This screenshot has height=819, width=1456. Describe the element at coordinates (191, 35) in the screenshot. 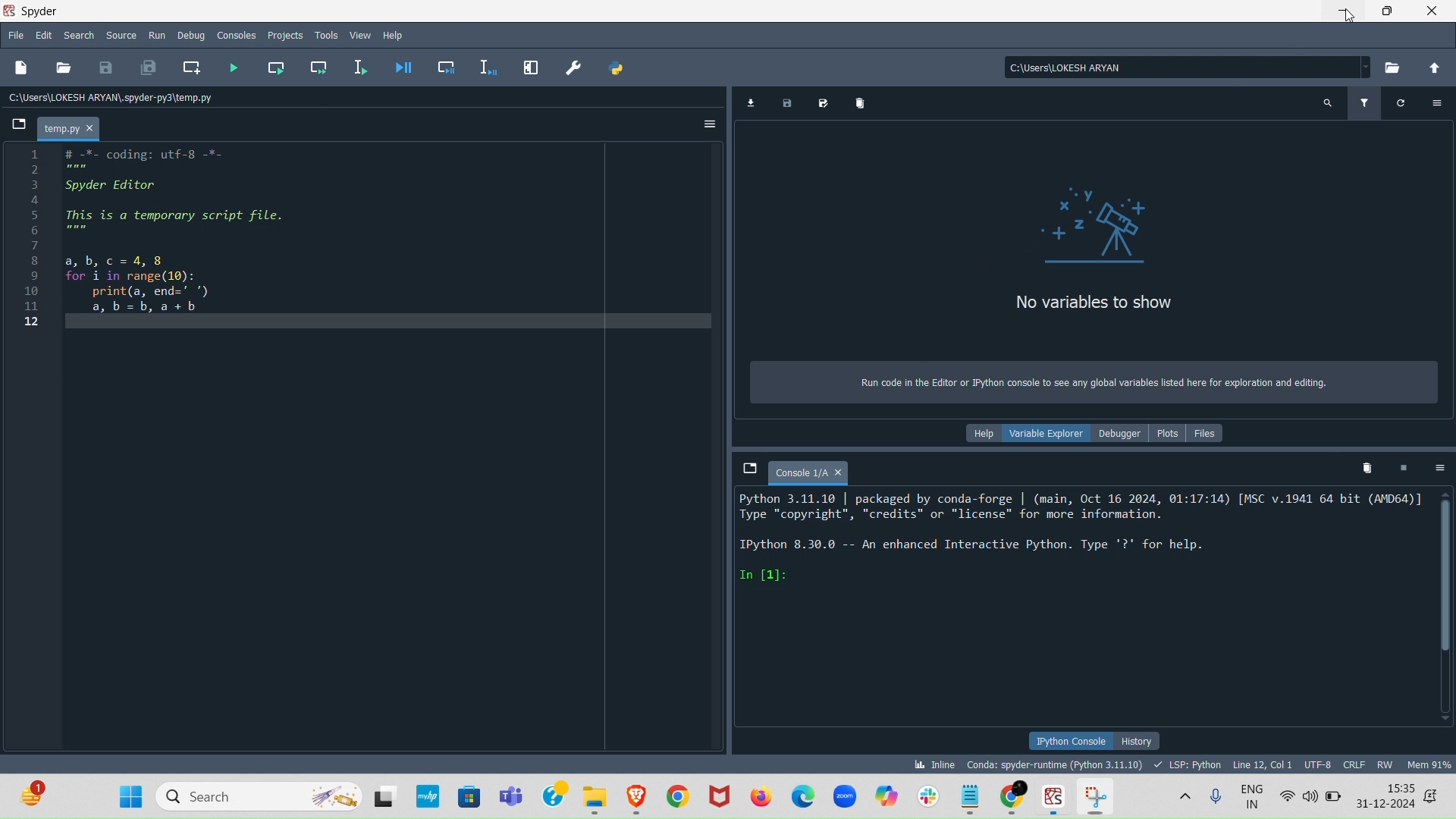

I see `Debug` at that location.